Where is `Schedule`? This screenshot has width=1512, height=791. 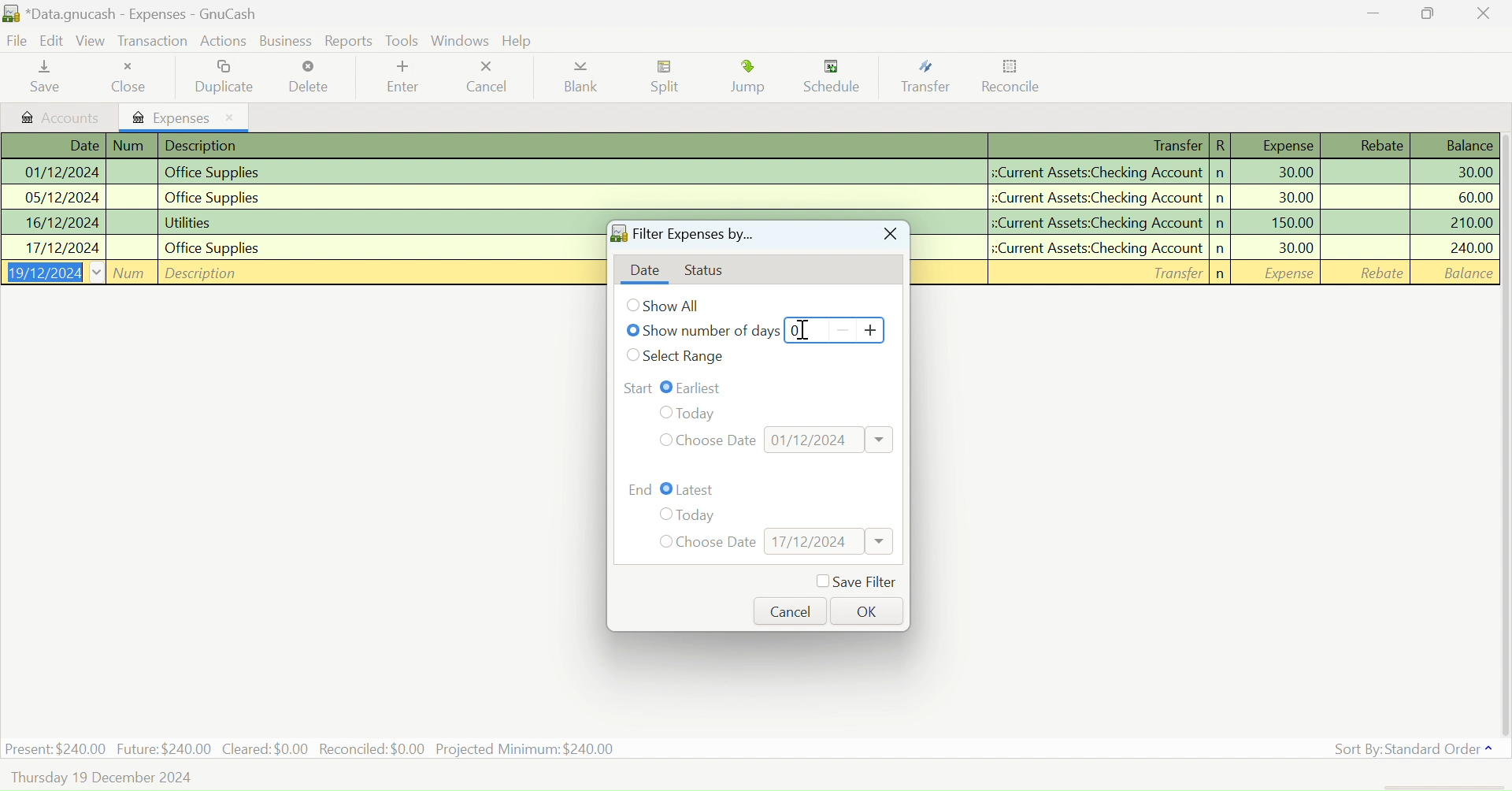 Schedule is located at coordinates (837, 77).